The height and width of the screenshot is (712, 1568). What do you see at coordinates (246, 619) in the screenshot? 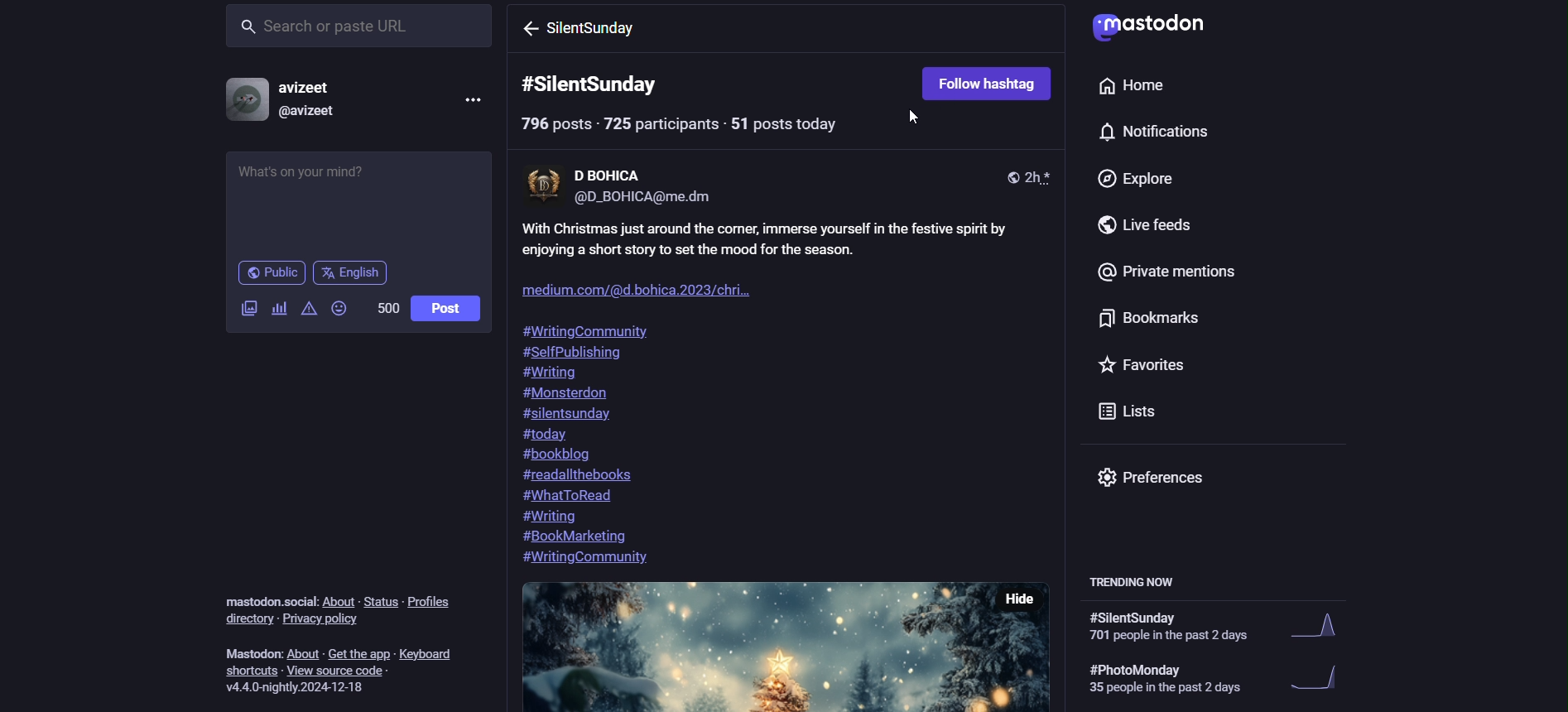
I see `directory` at bounding box center [246, 619].